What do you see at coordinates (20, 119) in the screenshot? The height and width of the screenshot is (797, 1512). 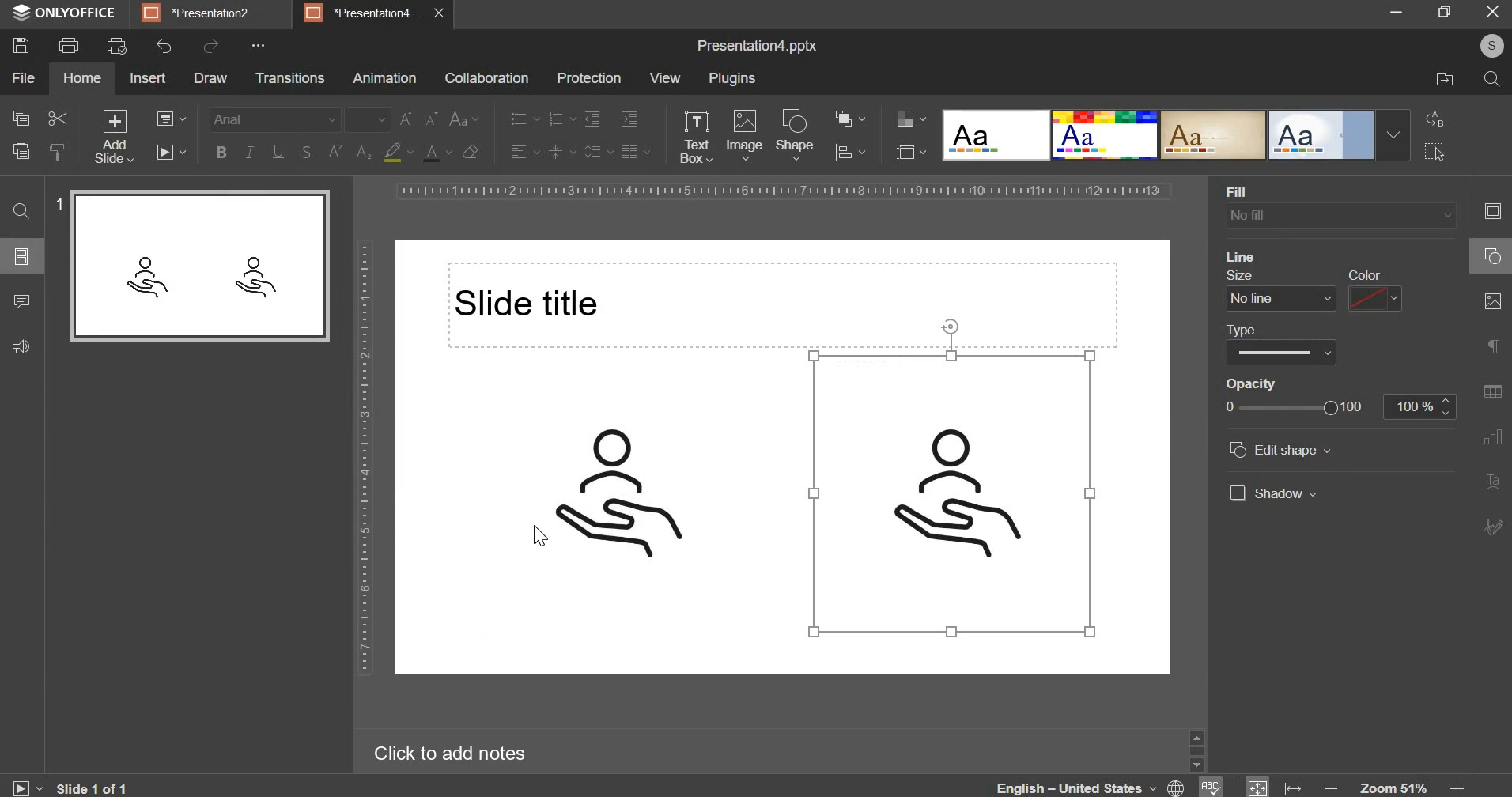 I see `copy` at bounding box center [20, 119].